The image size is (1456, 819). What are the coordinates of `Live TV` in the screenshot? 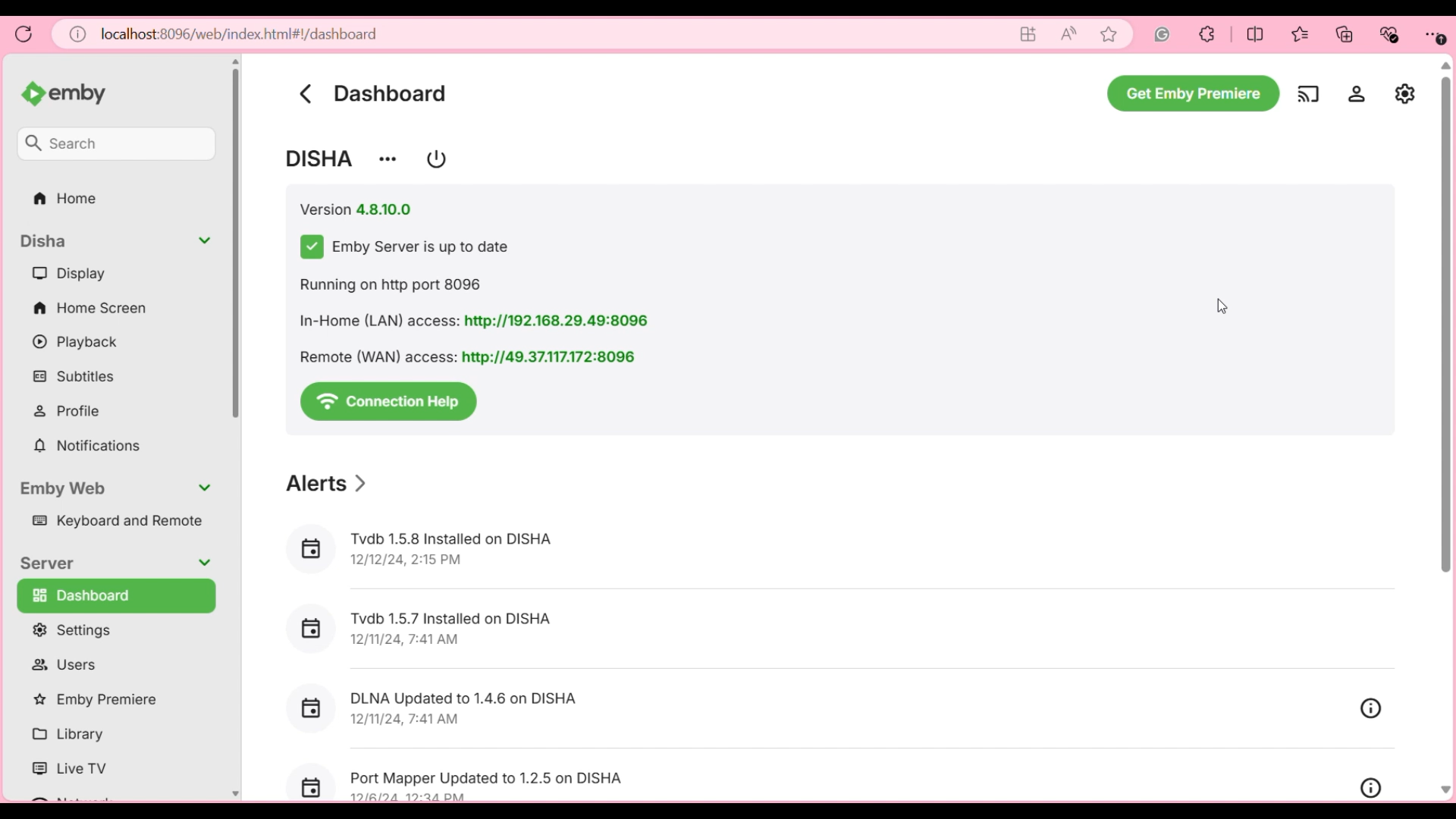 It's located at (111, 767).